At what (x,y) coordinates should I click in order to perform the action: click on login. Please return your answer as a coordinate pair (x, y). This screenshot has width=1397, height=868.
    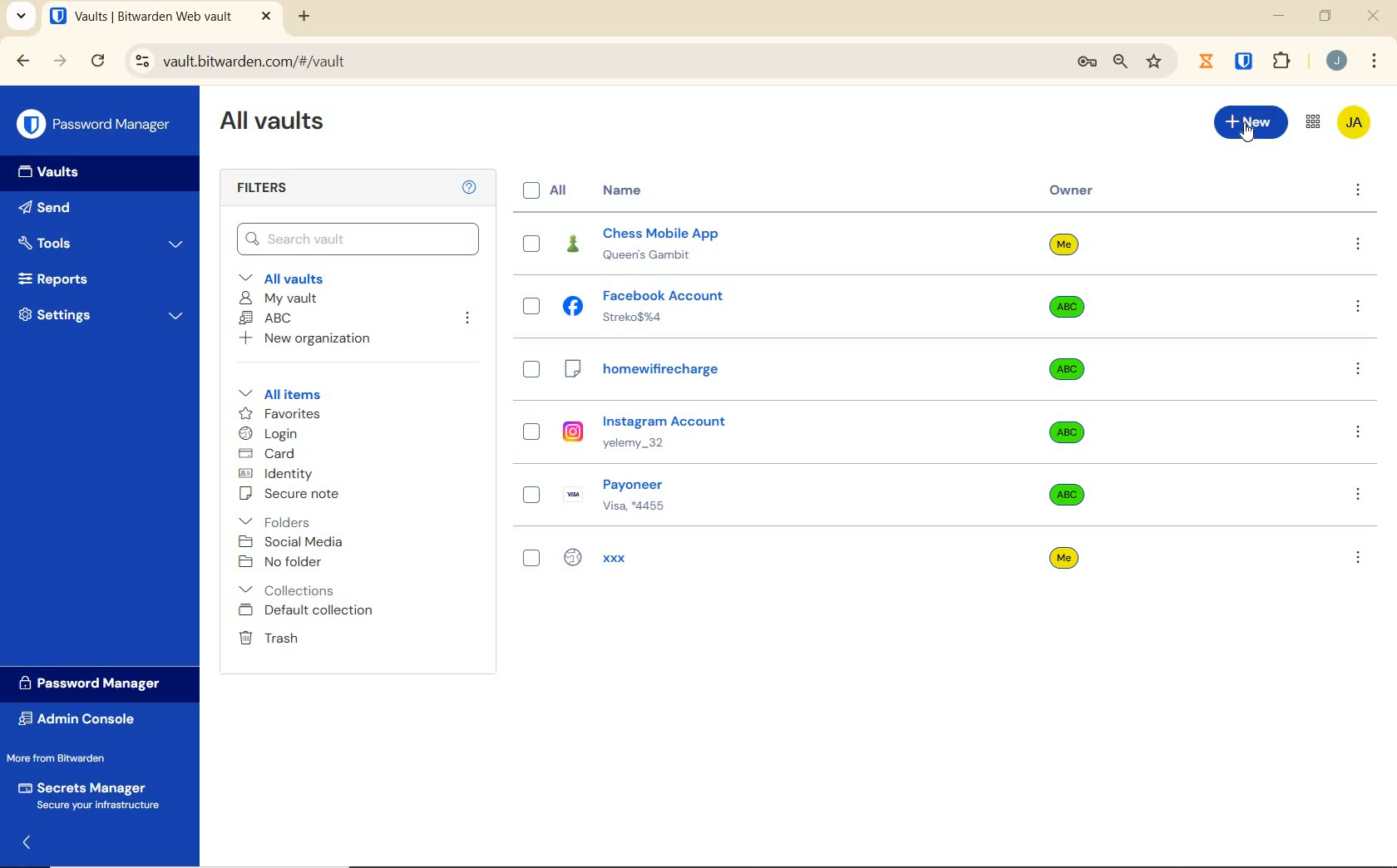
    Looking at the image, I should click on (278, 434).